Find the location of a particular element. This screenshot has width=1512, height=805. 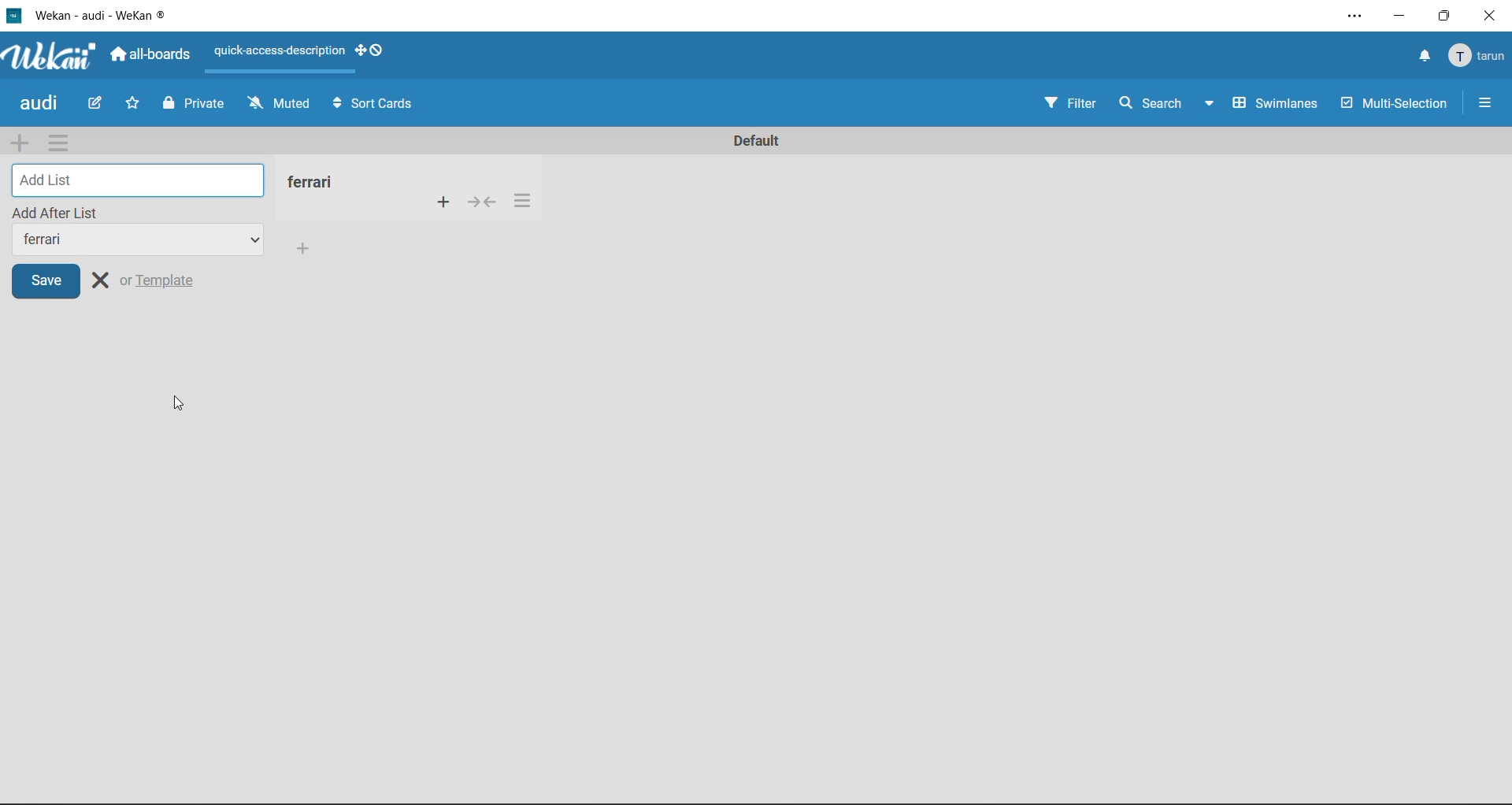

add after list is located at coordinates (61, 214).